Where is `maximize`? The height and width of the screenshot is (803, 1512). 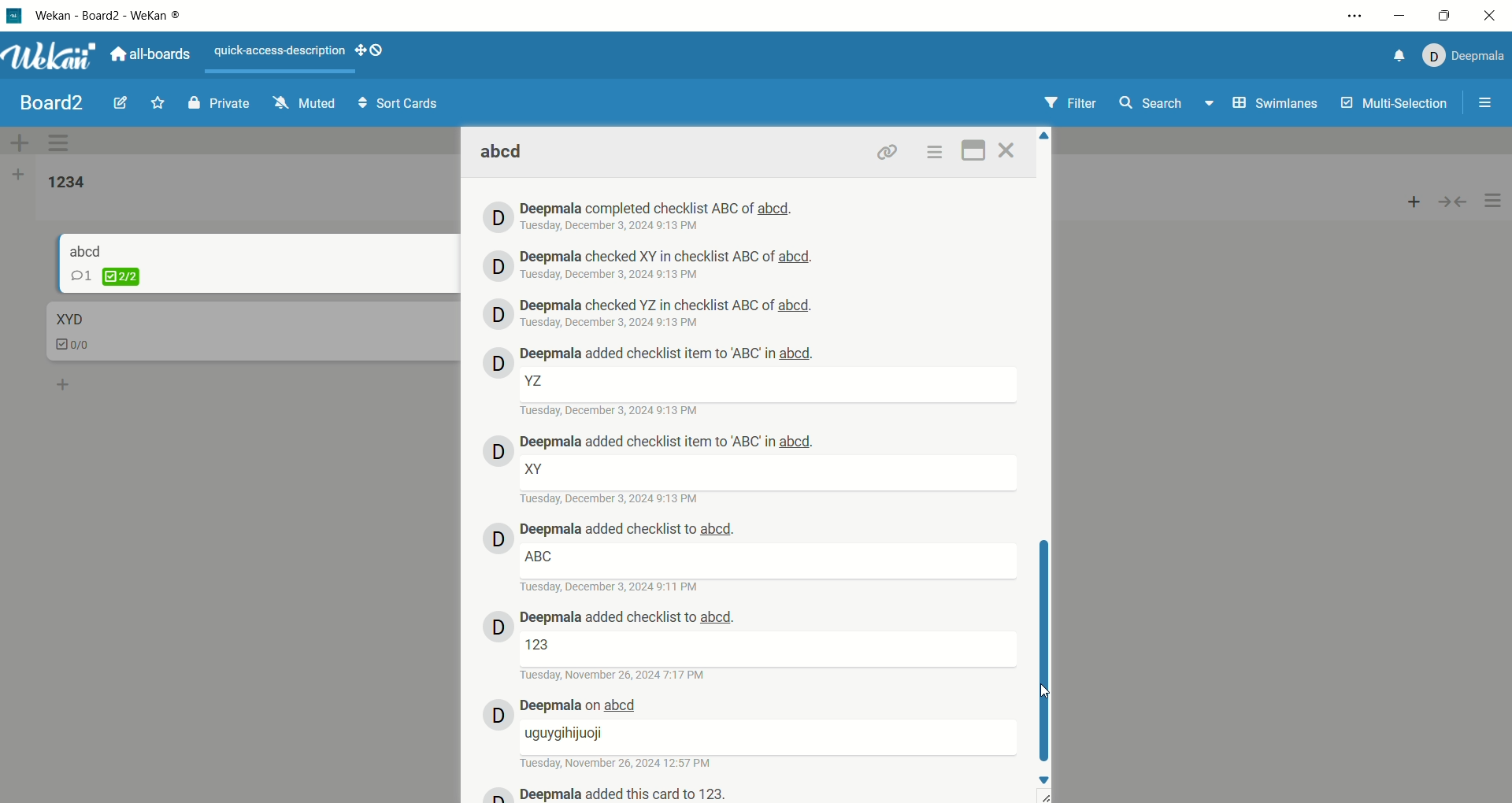
maximize is located at coordinates (1444, 17).